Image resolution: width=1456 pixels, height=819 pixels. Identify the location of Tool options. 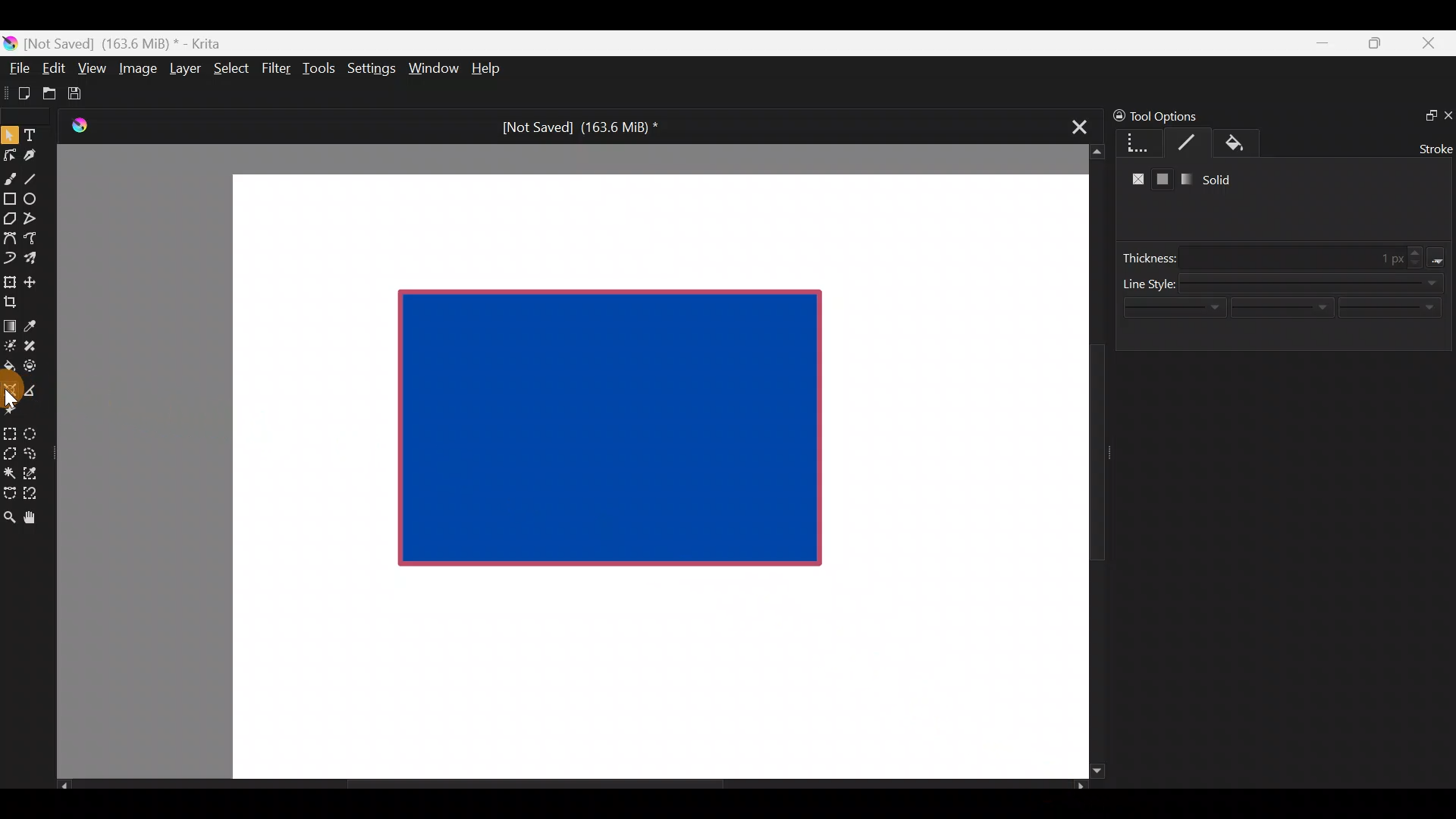
(1178, 116).